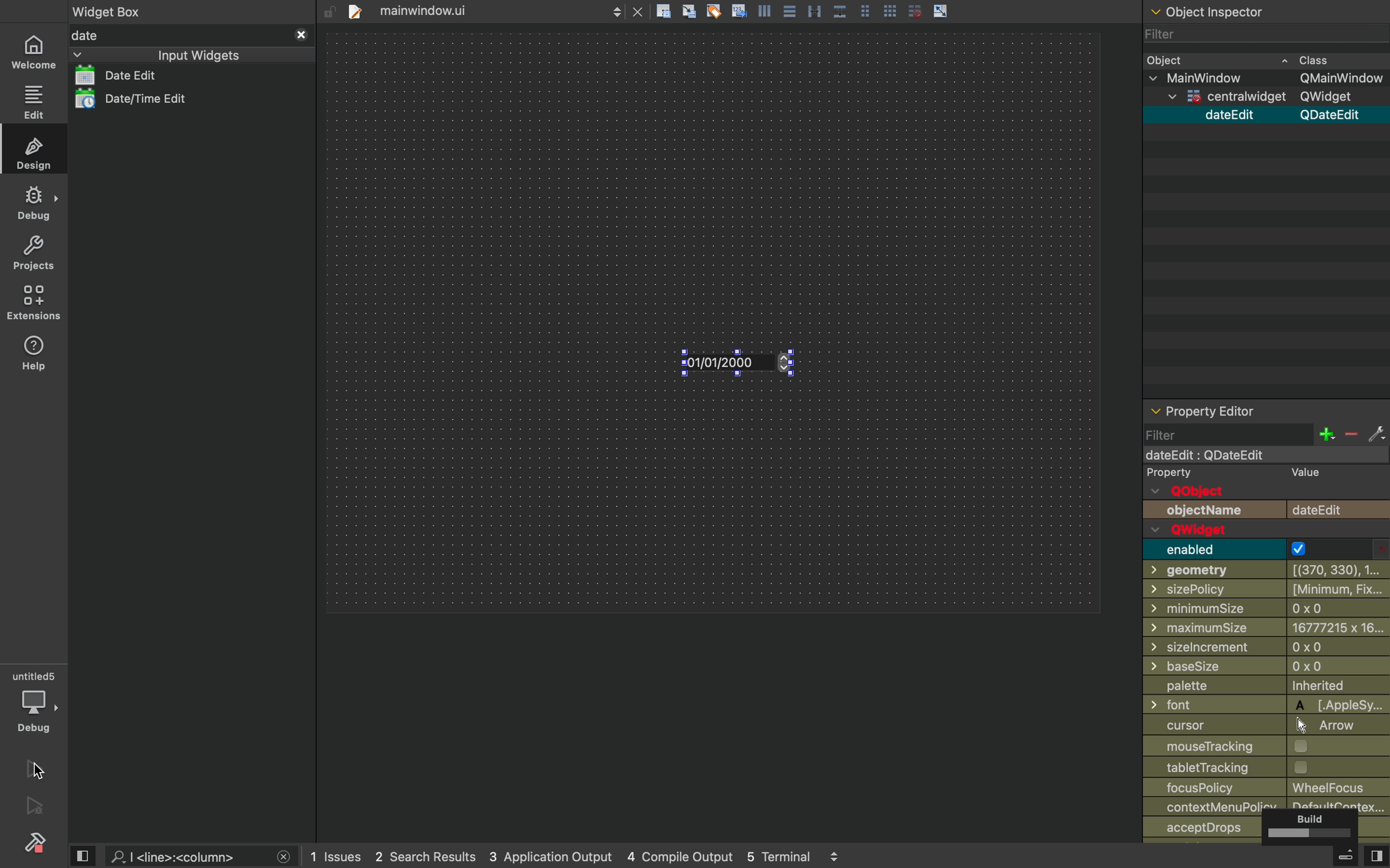  I want to click on date, so click(179, 36).